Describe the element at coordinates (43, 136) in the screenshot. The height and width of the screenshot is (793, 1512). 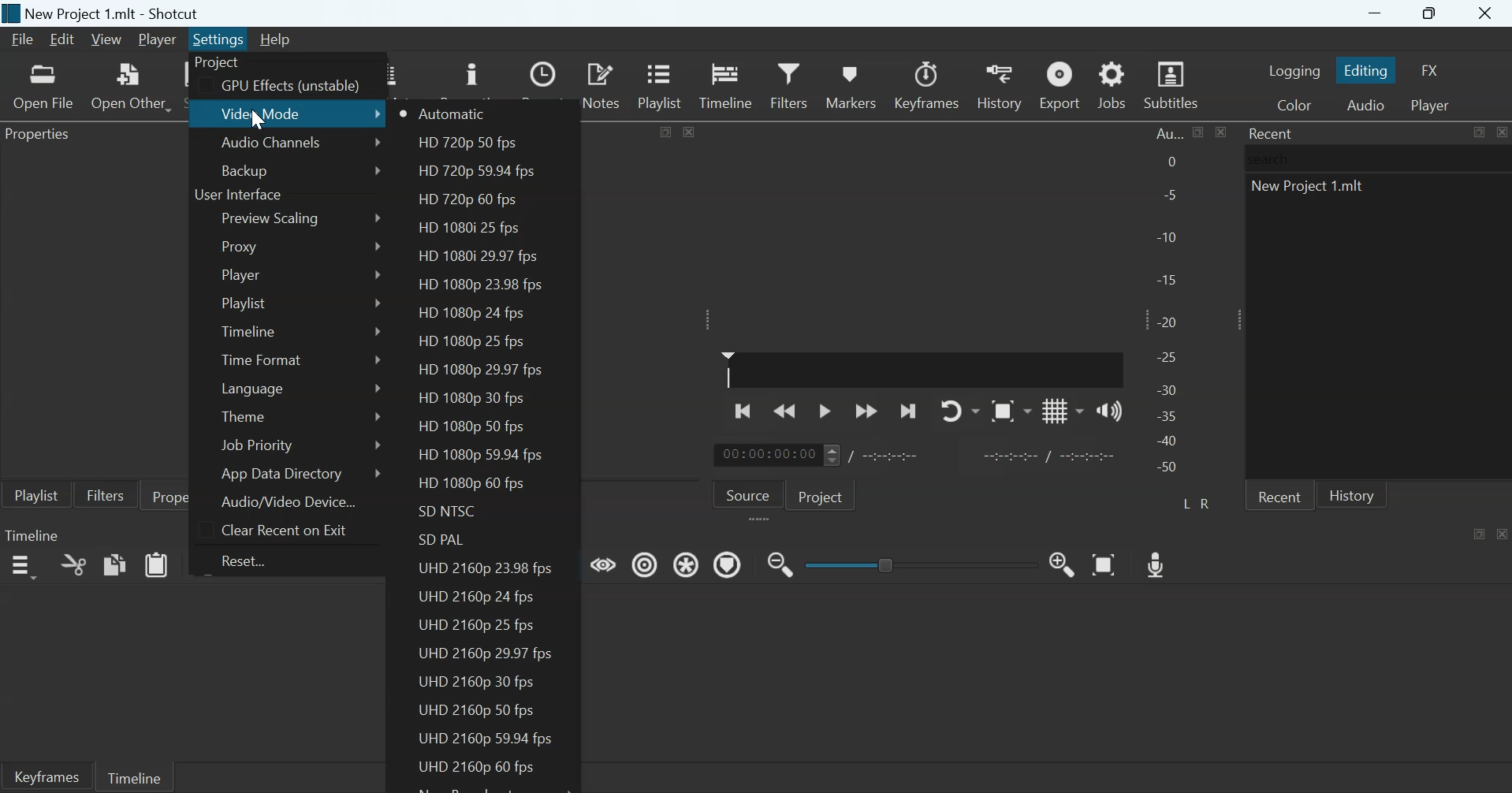
I see `Properties` at that location.